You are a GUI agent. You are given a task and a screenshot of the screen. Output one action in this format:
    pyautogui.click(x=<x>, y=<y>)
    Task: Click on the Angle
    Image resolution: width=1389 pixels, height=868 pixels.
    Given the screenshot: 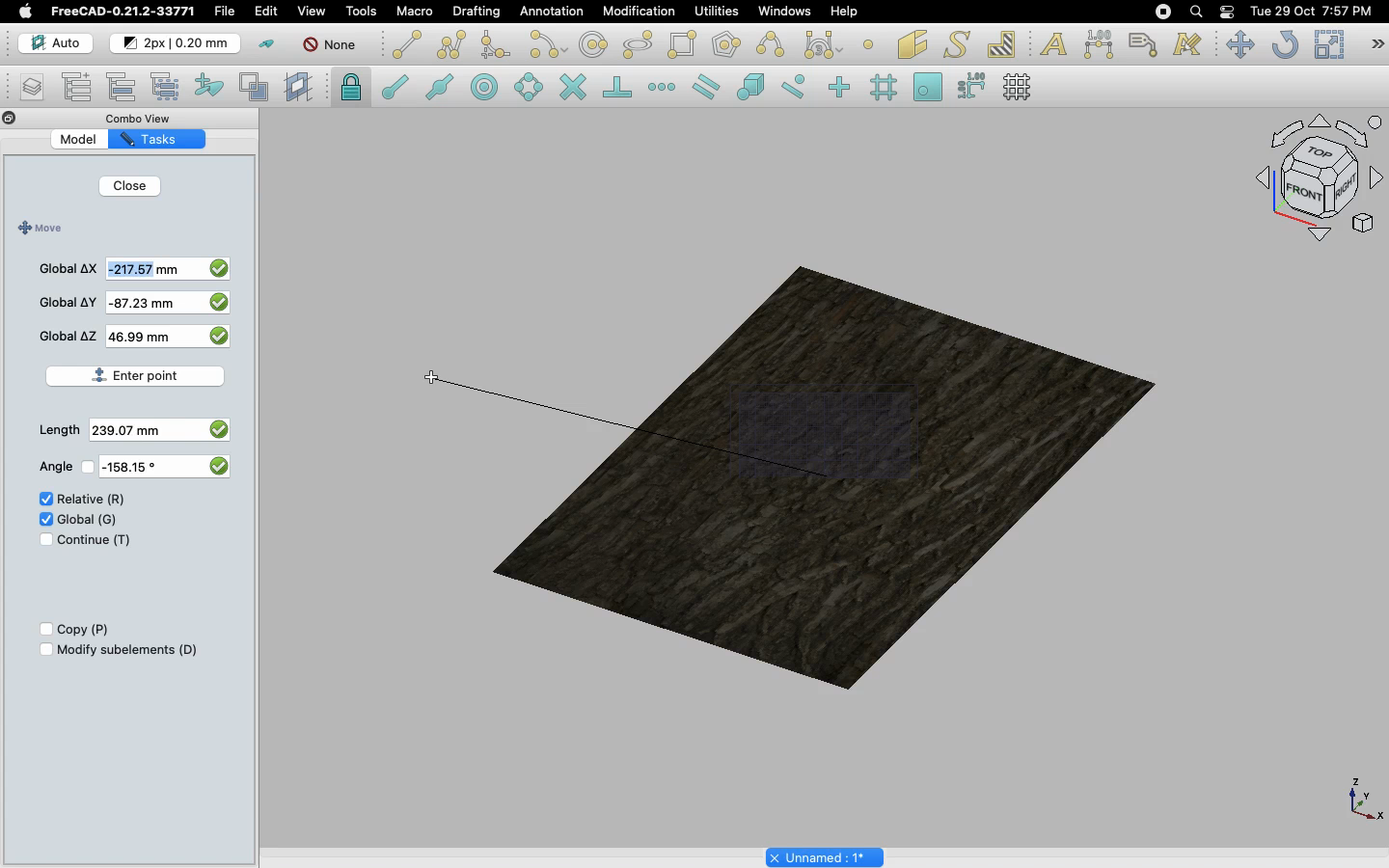 What is the action you would take?
    pyautogui.click(x=52, y=467)
    